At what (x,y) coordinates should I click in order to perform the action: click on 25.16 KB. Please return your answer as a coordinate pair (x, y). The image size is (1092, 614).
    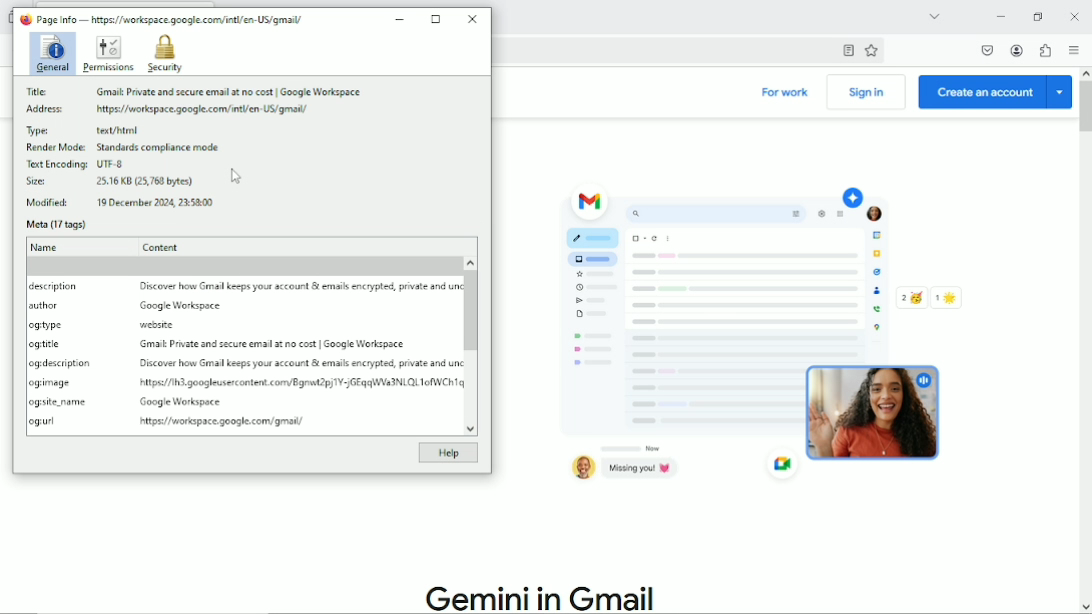
    Looking at the image, I should click on (145, 181).